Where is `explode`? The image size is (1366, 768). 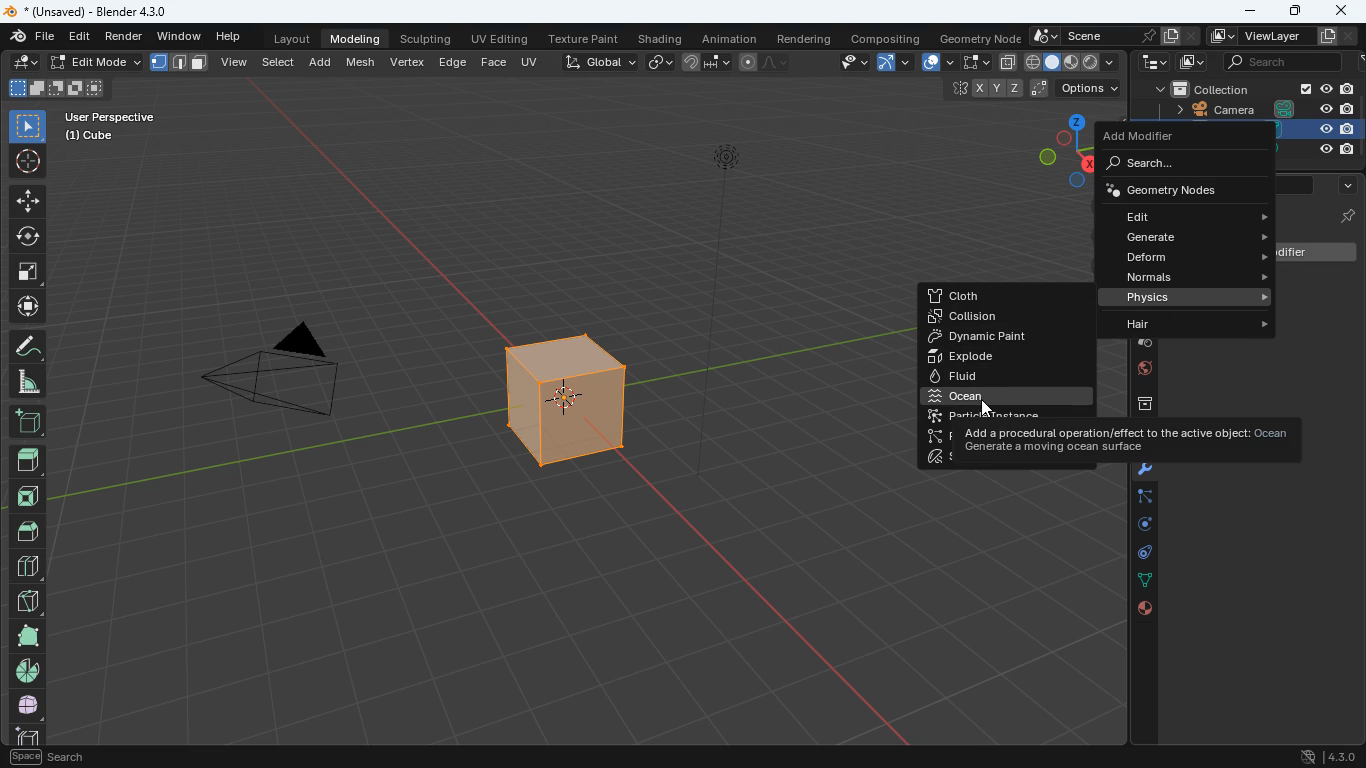
explode is located at coordinates (1006, 357).